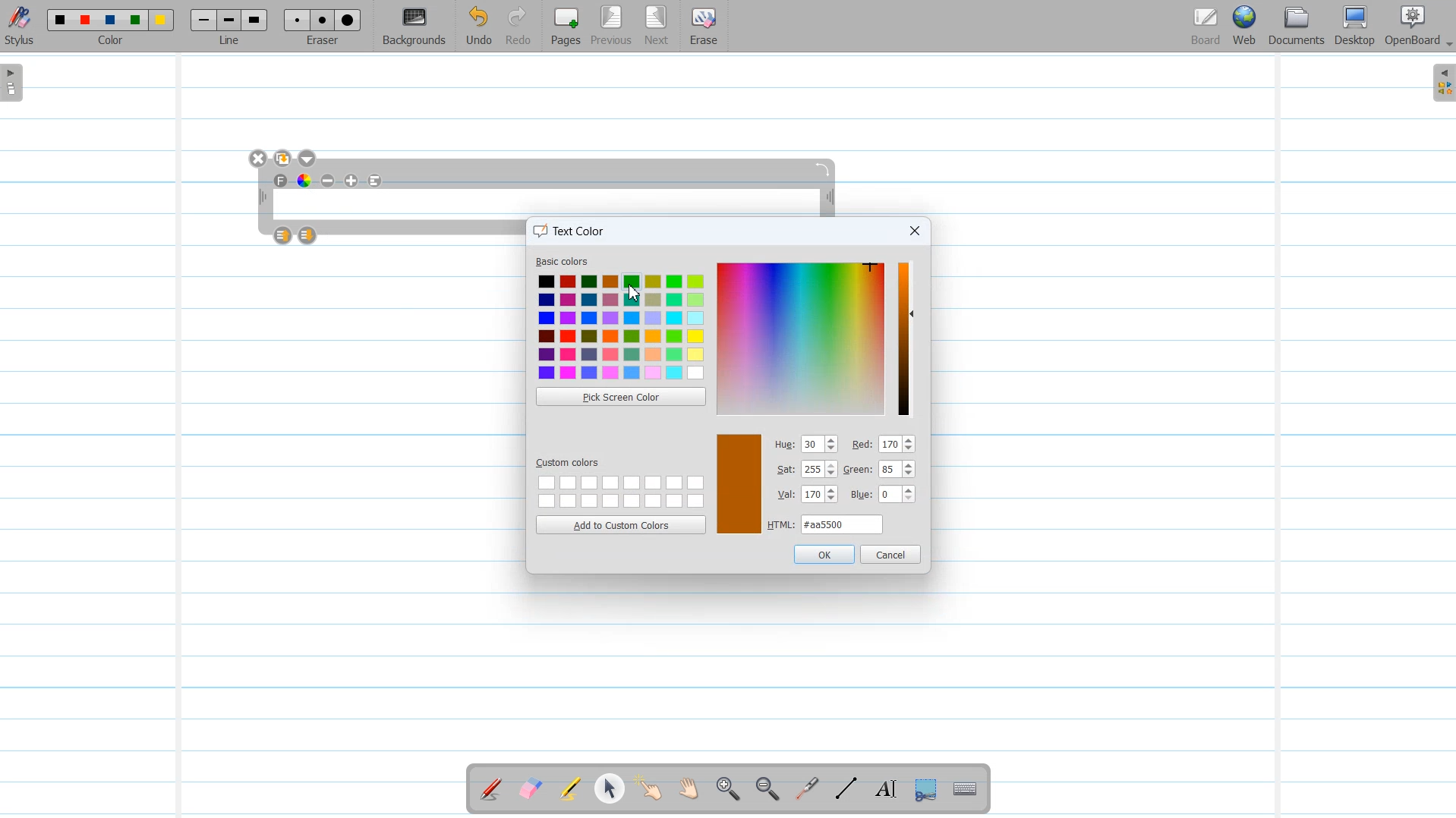  Describe the element at coordinates (913, 231) in the screenshot. I see `Close window` at that location.